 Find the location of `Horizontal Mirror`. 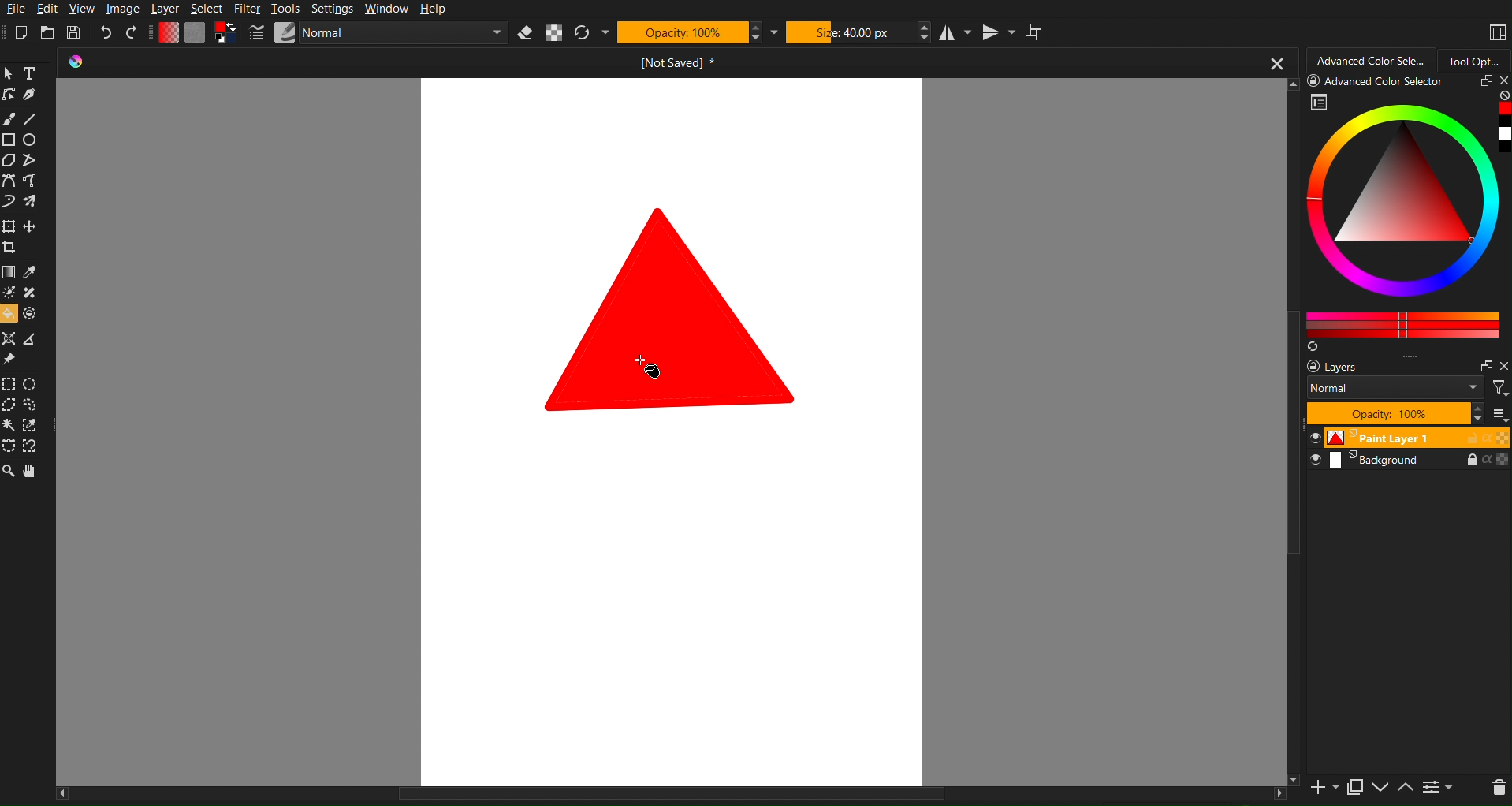

Horizontal Mirror is located at coordinates (956, 32).